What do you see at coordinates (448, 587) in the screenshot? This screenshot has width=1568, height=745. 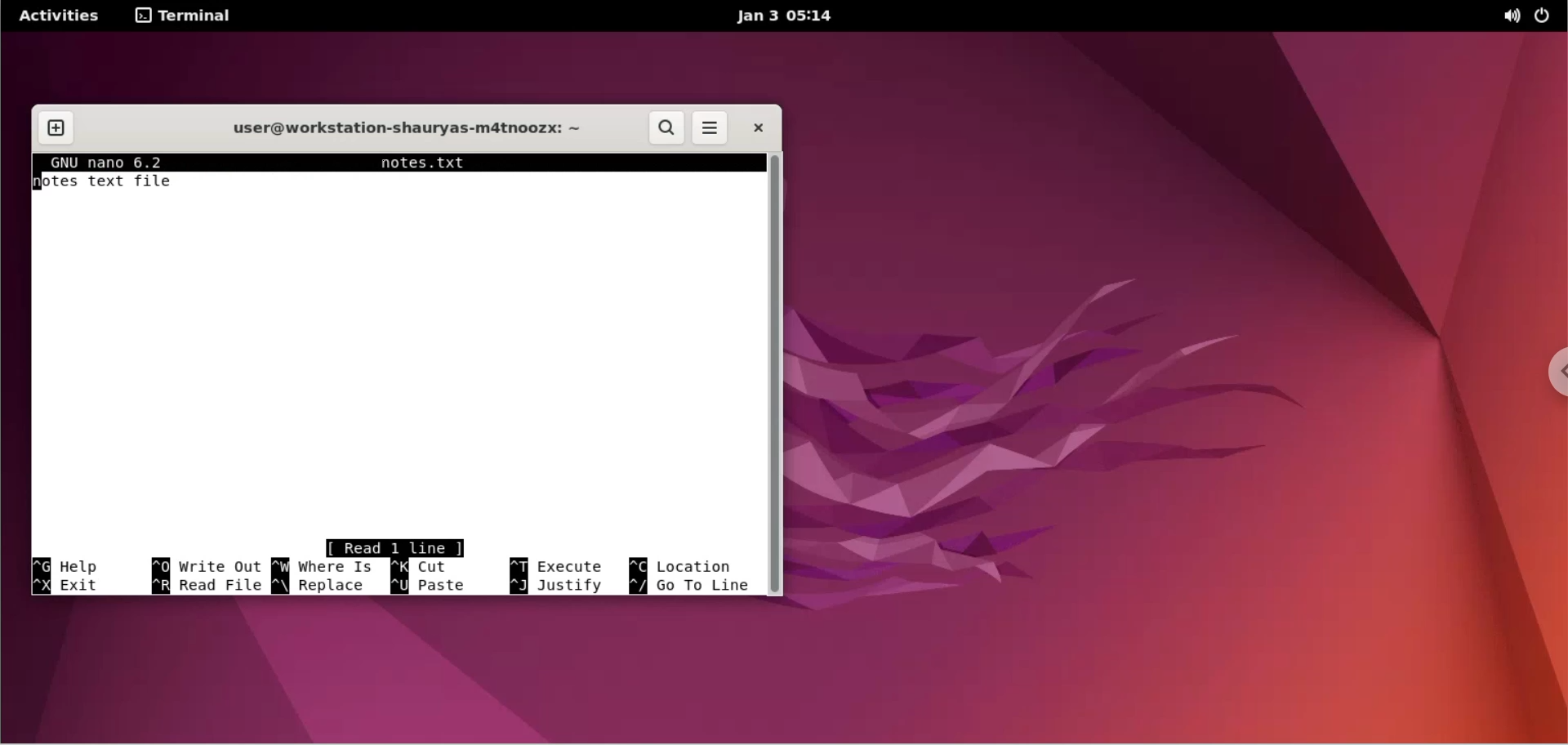 I see `^ U paste` at bounding box center [448, 587].